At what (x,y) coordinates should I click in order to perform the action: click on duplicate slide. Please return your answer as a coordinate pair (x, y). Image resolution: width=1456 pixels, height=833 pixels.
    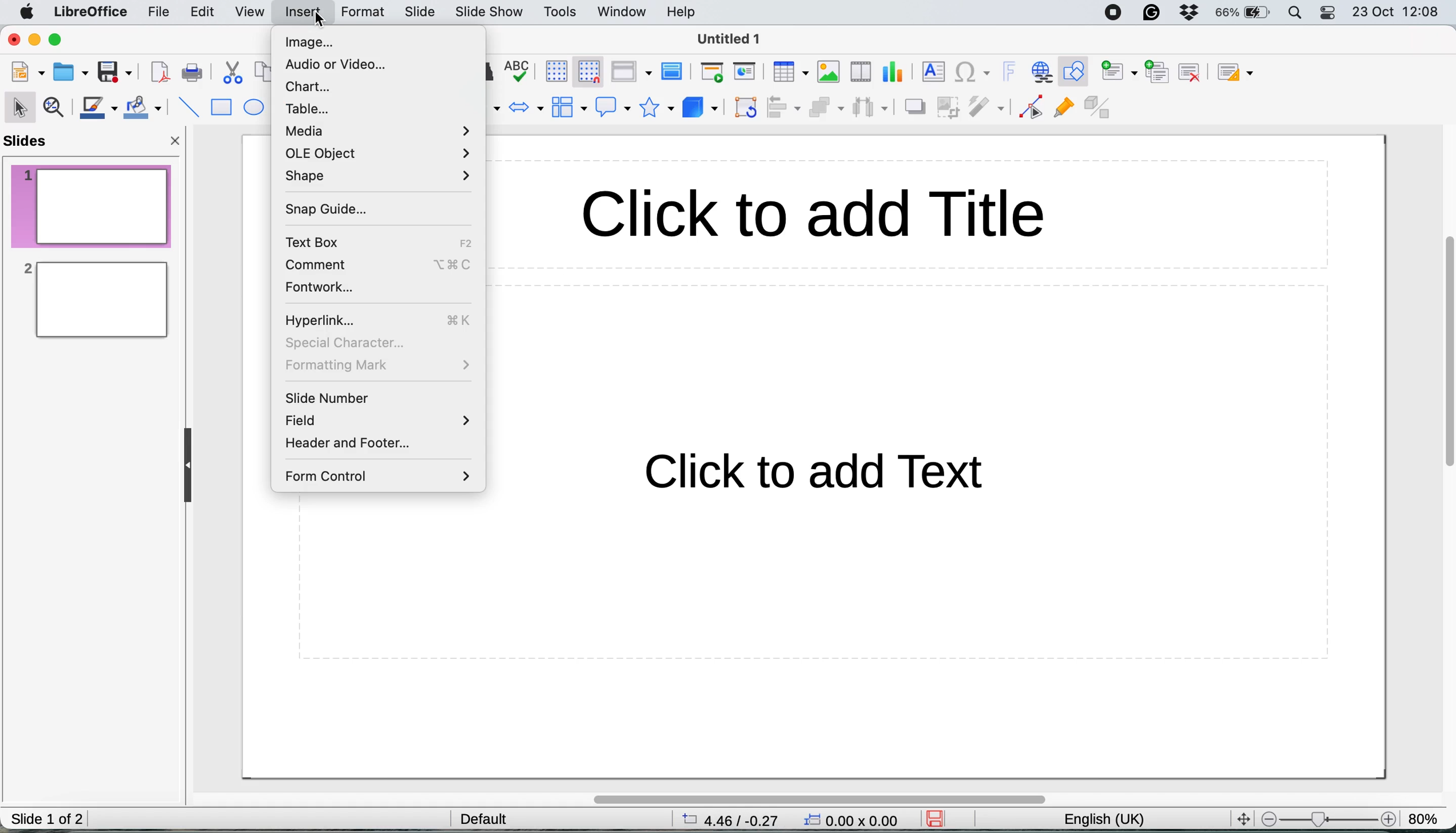
    Looking at the image, I should click on (1158, 70).